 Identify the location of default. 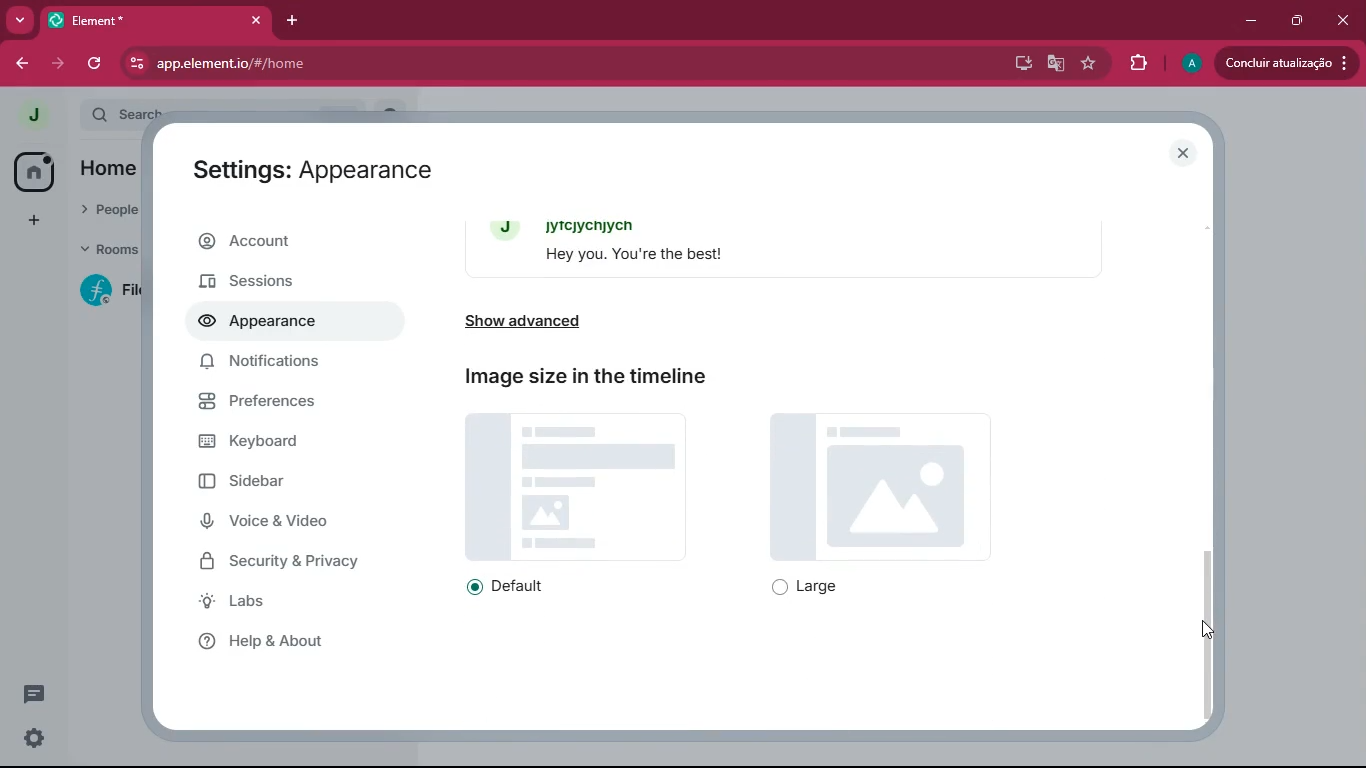
(517, 587).